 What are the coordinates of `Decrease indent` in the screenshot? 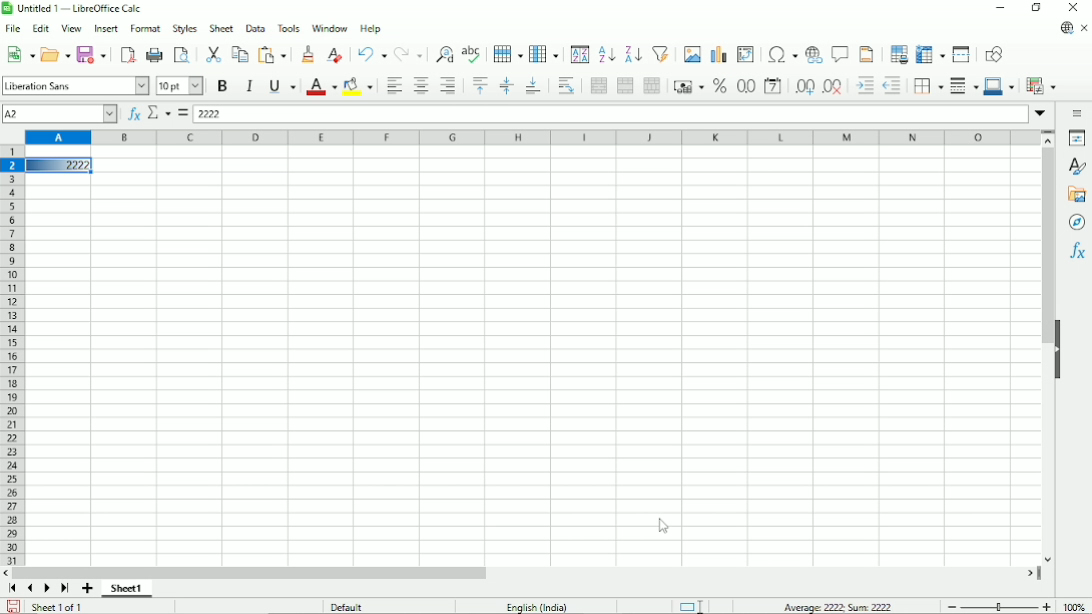 It's located at (892, 86).